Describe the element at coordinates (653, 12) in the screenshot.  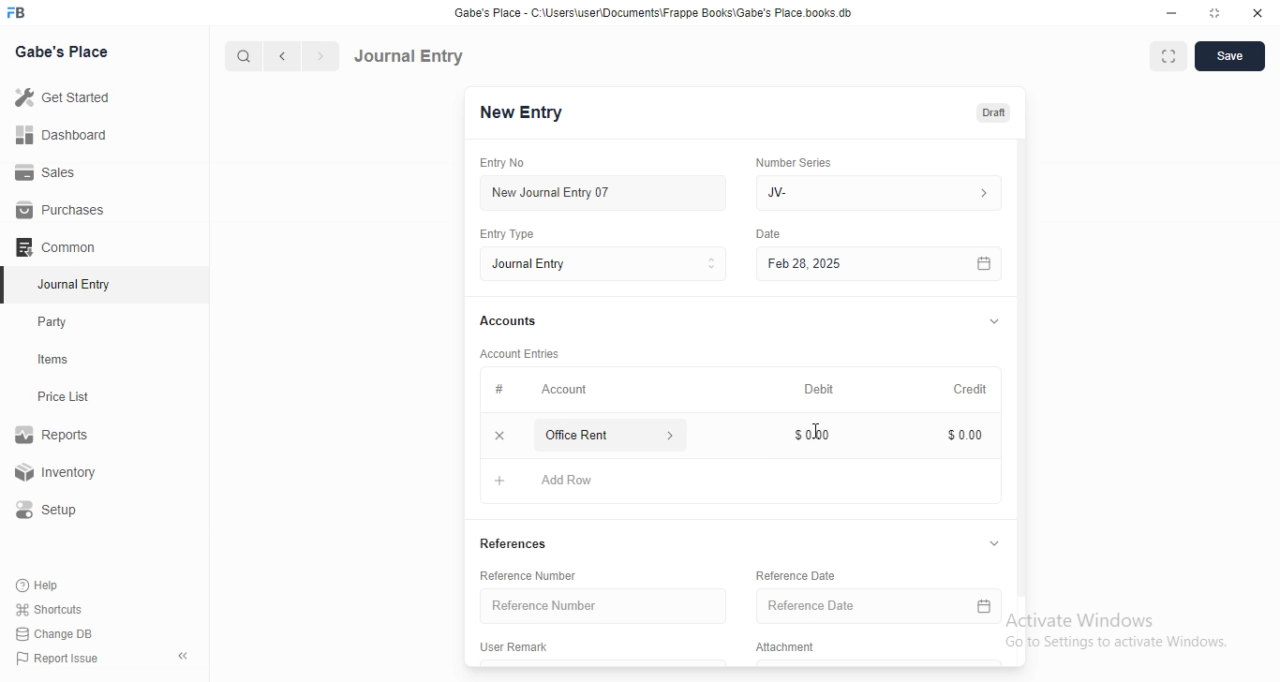
I see `‘Gabe's Place - C\UsersiuserDocuments\Frappe Books\Gabe's Place books db` at that location.